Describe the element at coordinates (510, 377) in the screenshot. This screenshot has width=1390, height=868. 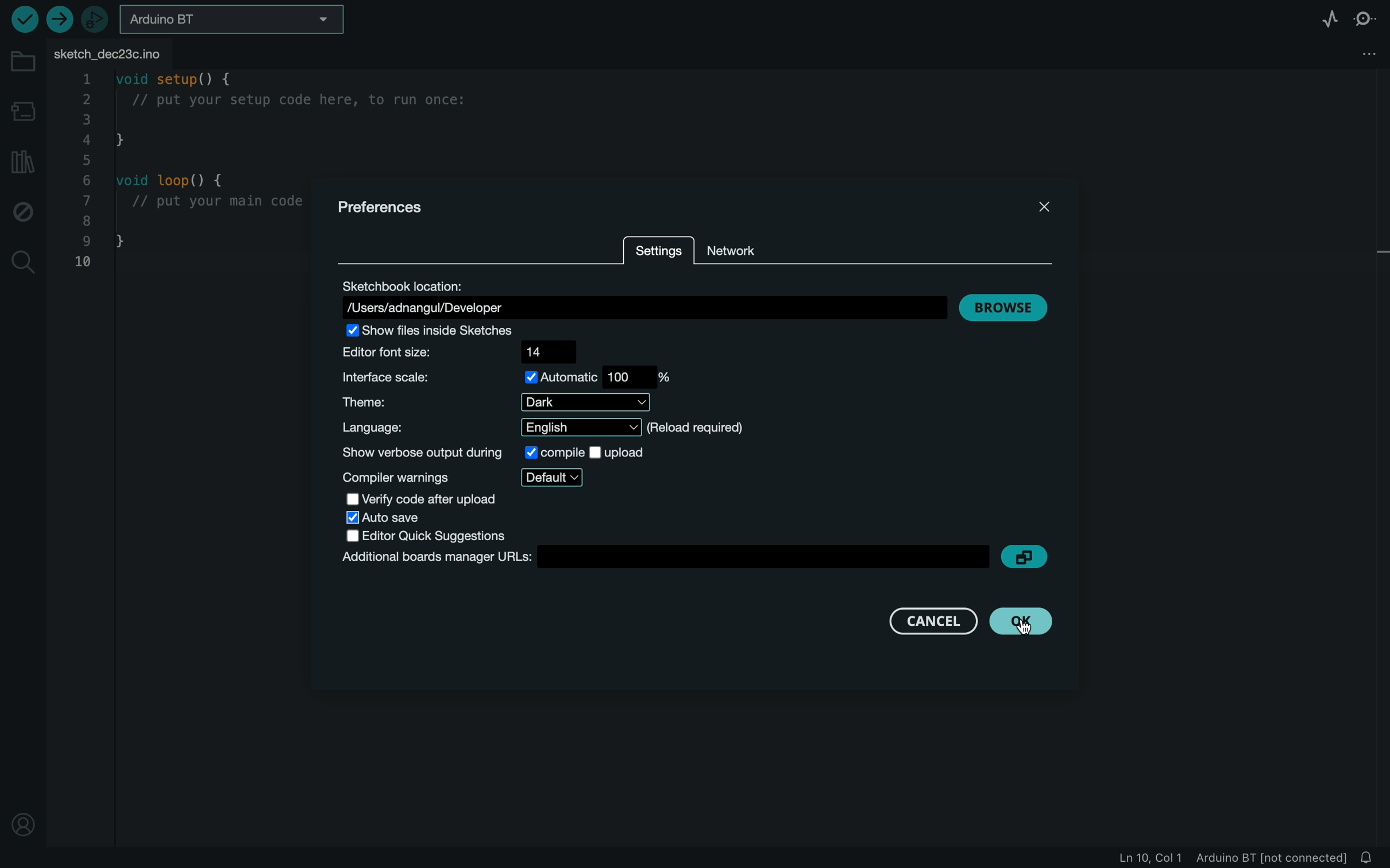
I see `scale` at that location.